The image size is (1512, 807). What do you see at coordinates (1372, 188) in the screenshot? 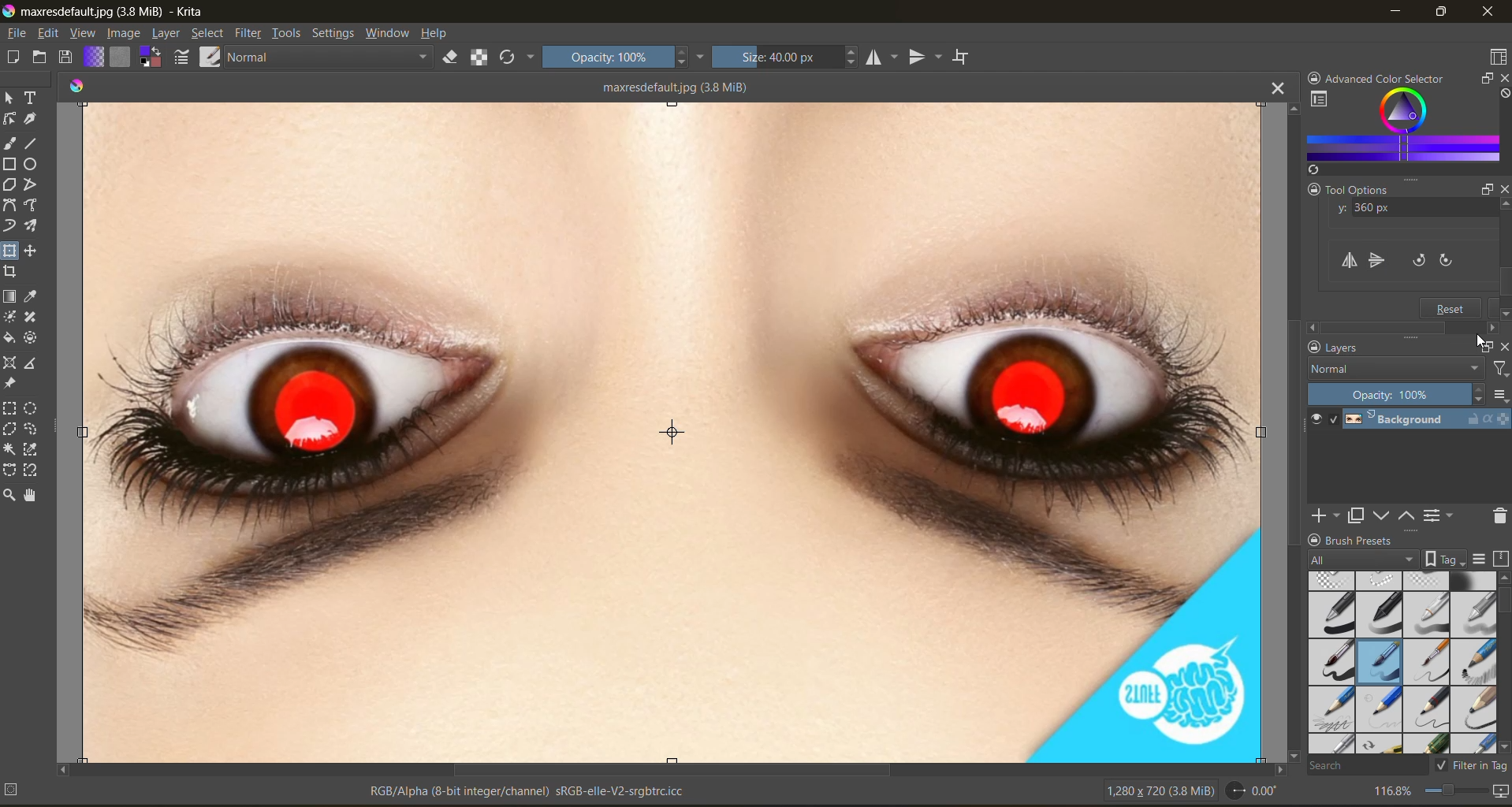
I see `Tool options` at bounding box center [1372, 188].